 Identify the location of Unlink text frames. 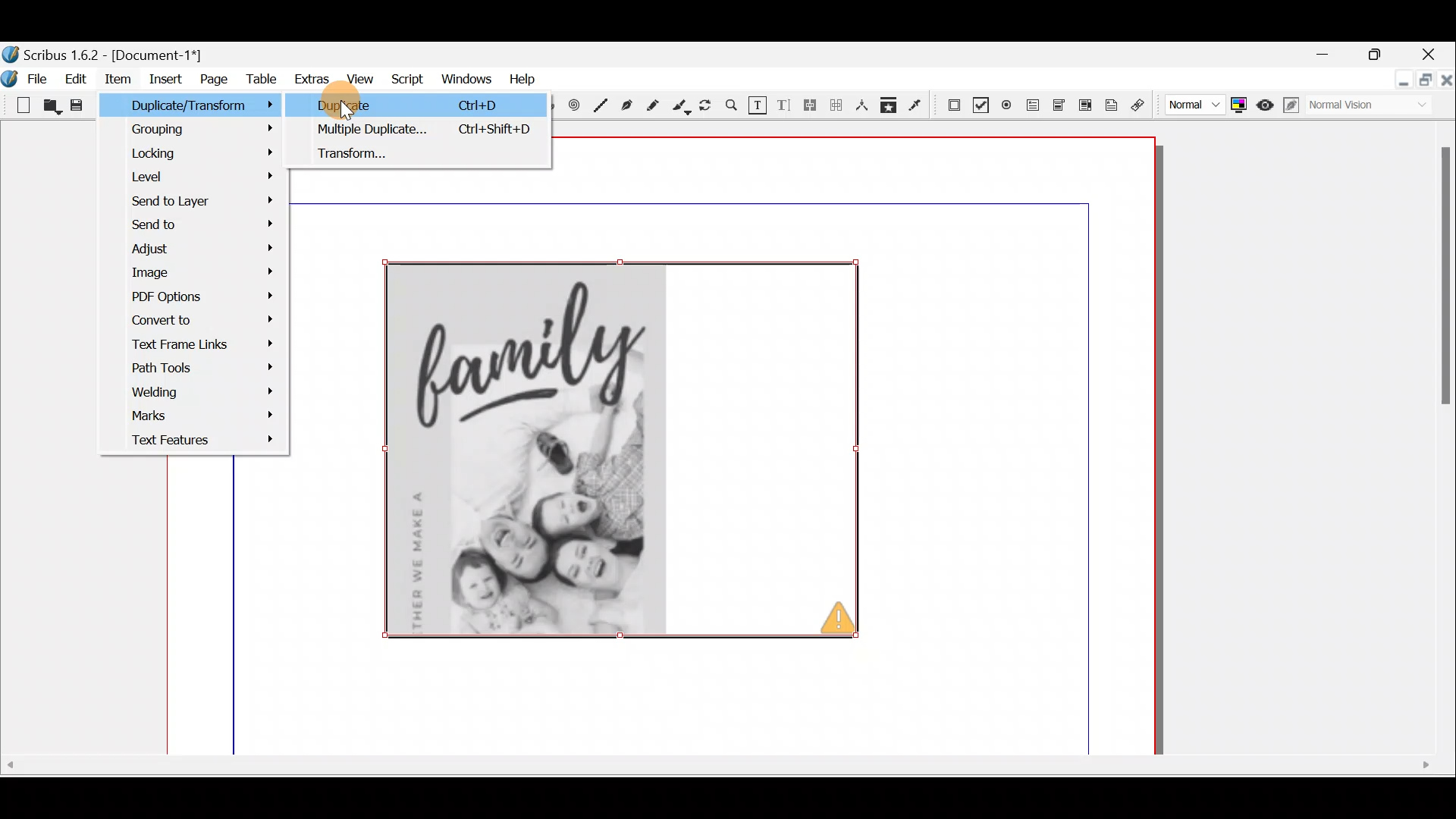
(836, 108).